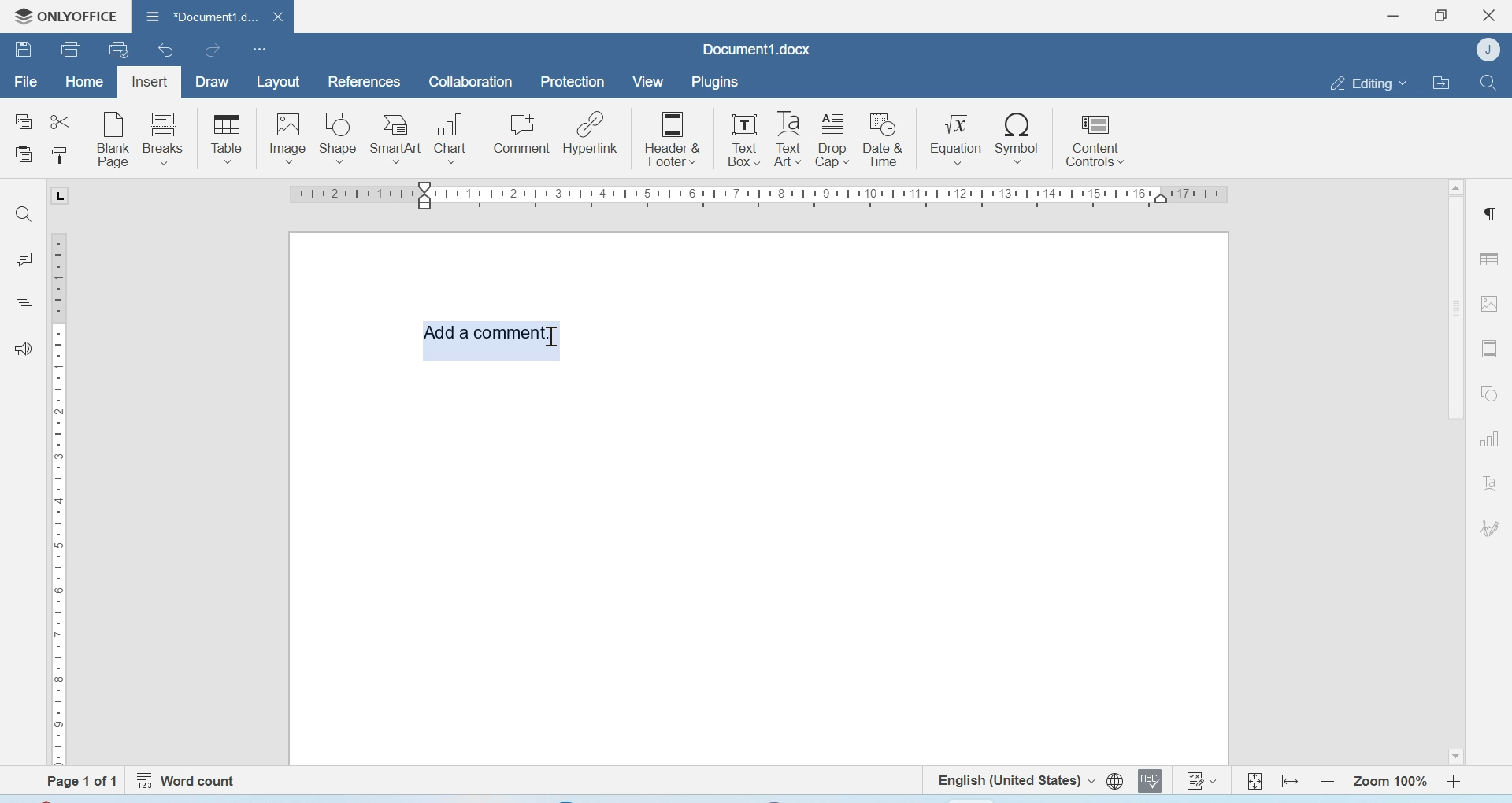  What do you see at coordinates (25, 156) in the screenshot?
I see `Paste` at bounding box center [25, 156].